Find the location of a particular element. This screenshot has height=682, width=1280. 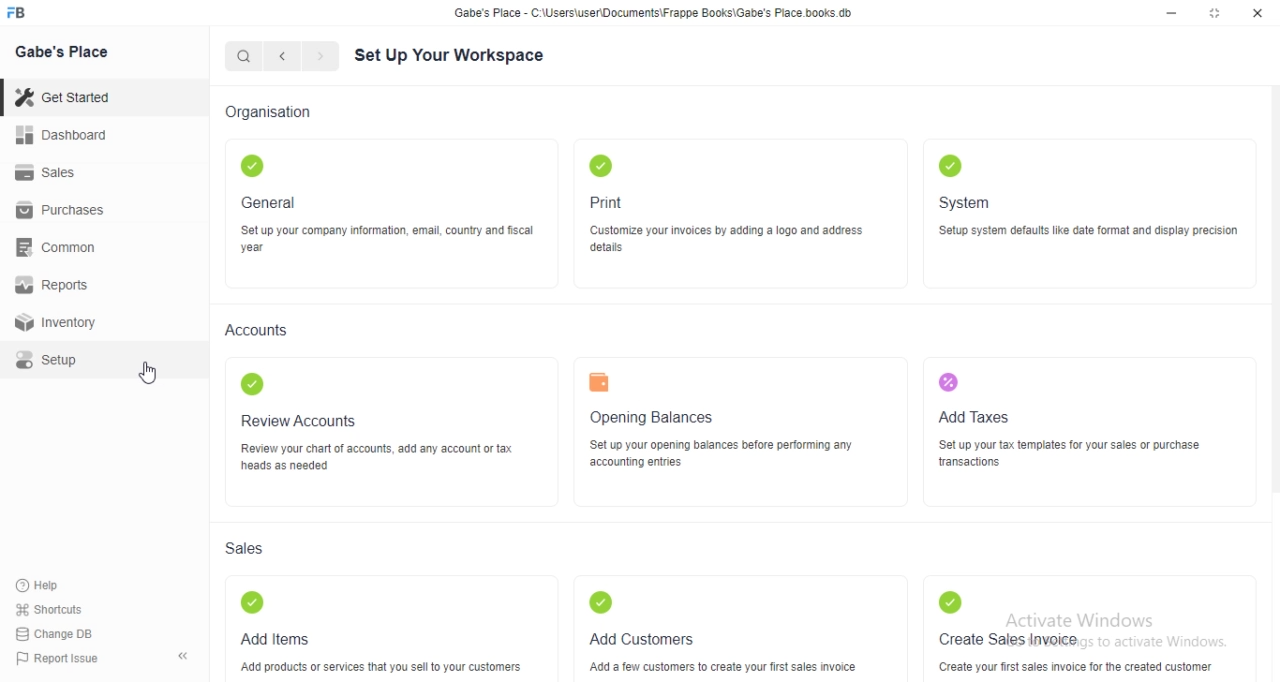

System. Setup system defaults the date format and display precision is located at coordinates (1093, 203).